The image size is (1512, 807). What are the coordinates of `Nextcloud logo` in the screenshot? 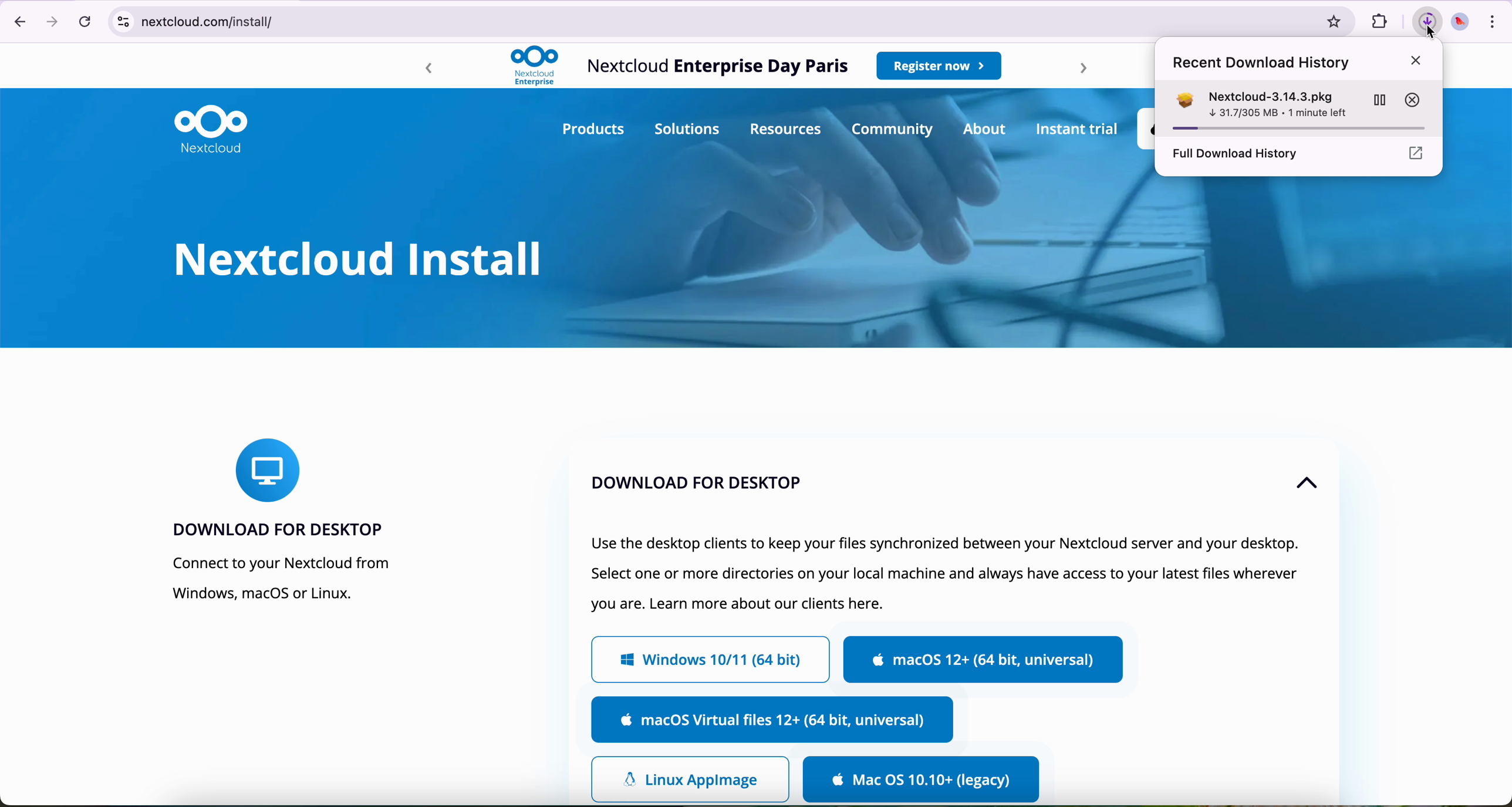 It's located at (534, 66).